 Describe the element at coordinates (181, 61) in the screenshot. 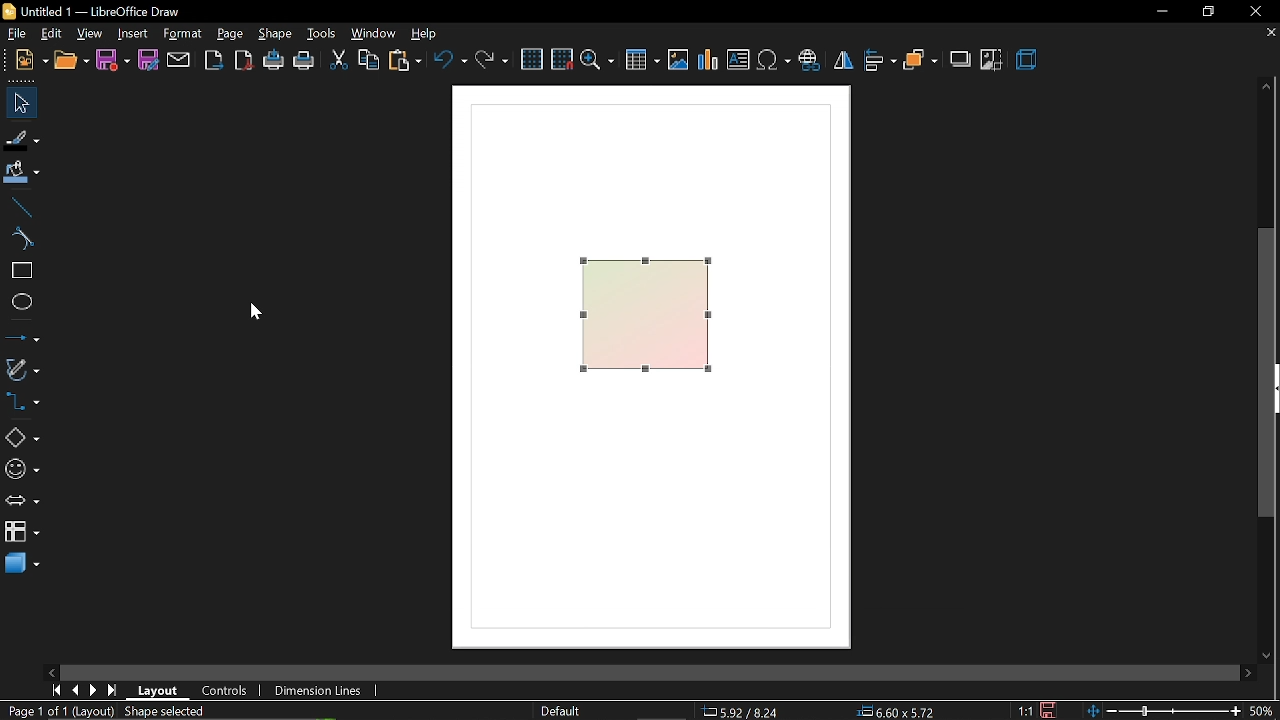

I see `attach` at that location.